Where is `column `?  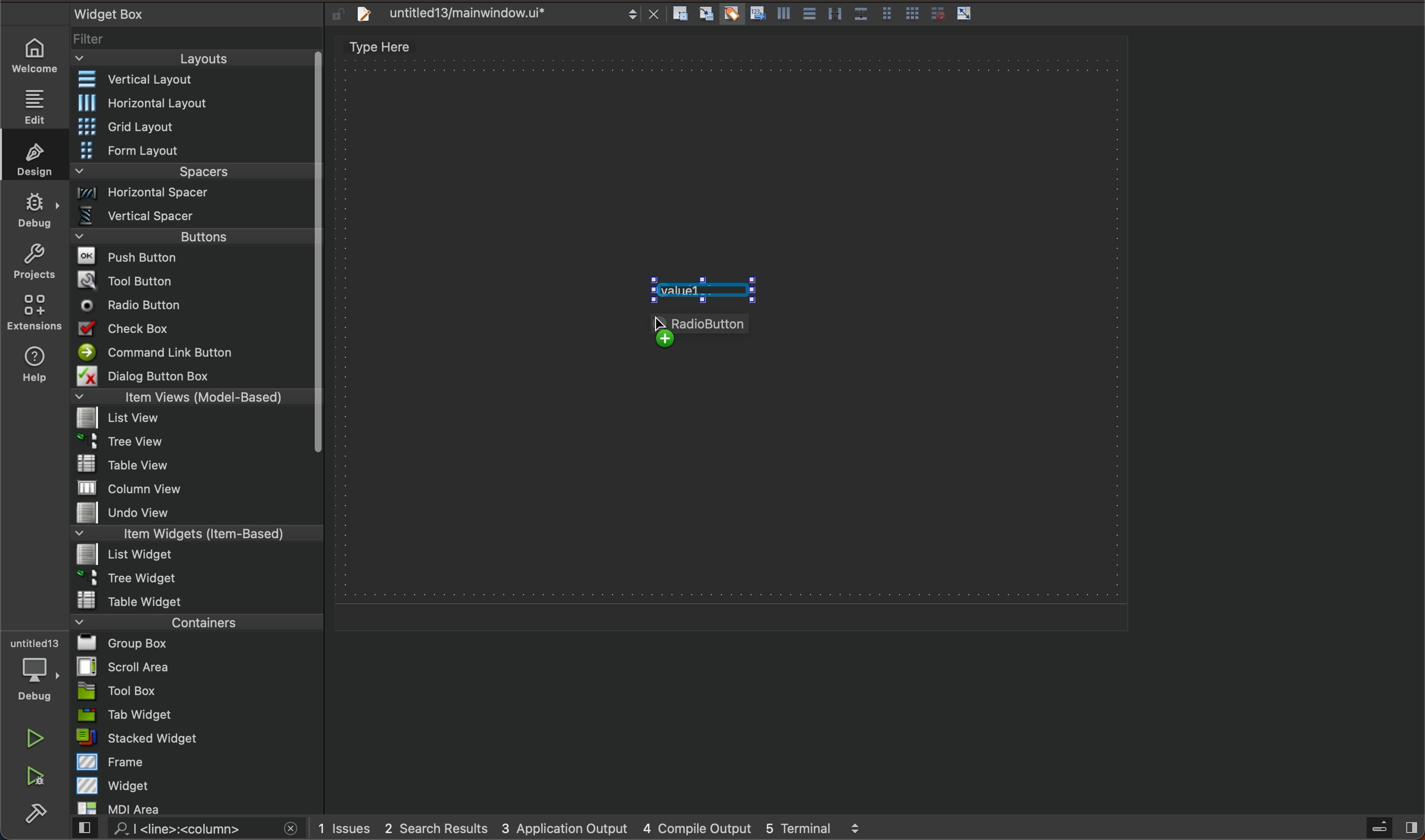 column  is located at coordinates (198, 487).